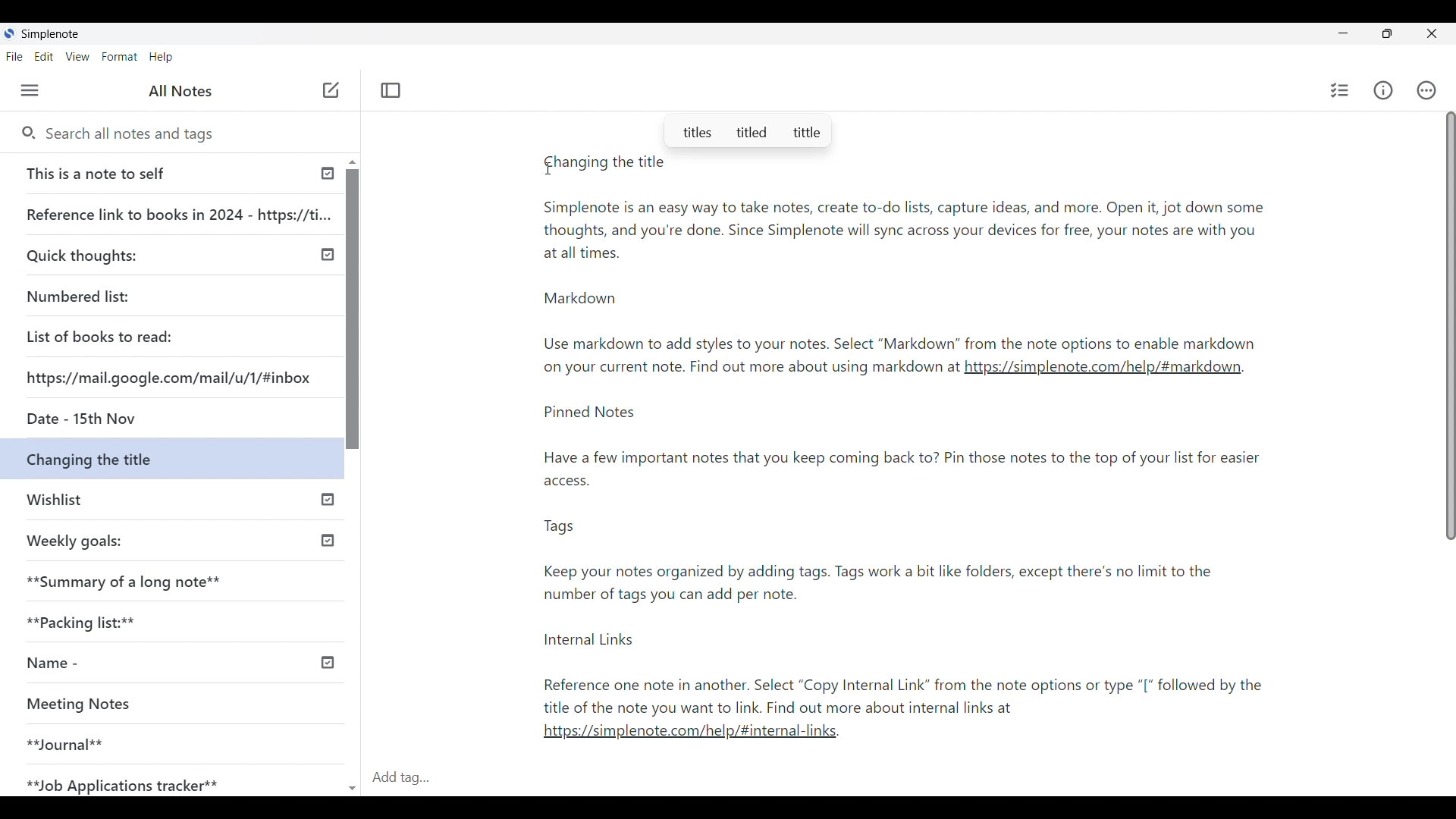 The height and width of the screenshot is (819, 1456). Describe the element at coordinates (391, 90) in the screenshot. I see `Toggle focus mode` at that location.